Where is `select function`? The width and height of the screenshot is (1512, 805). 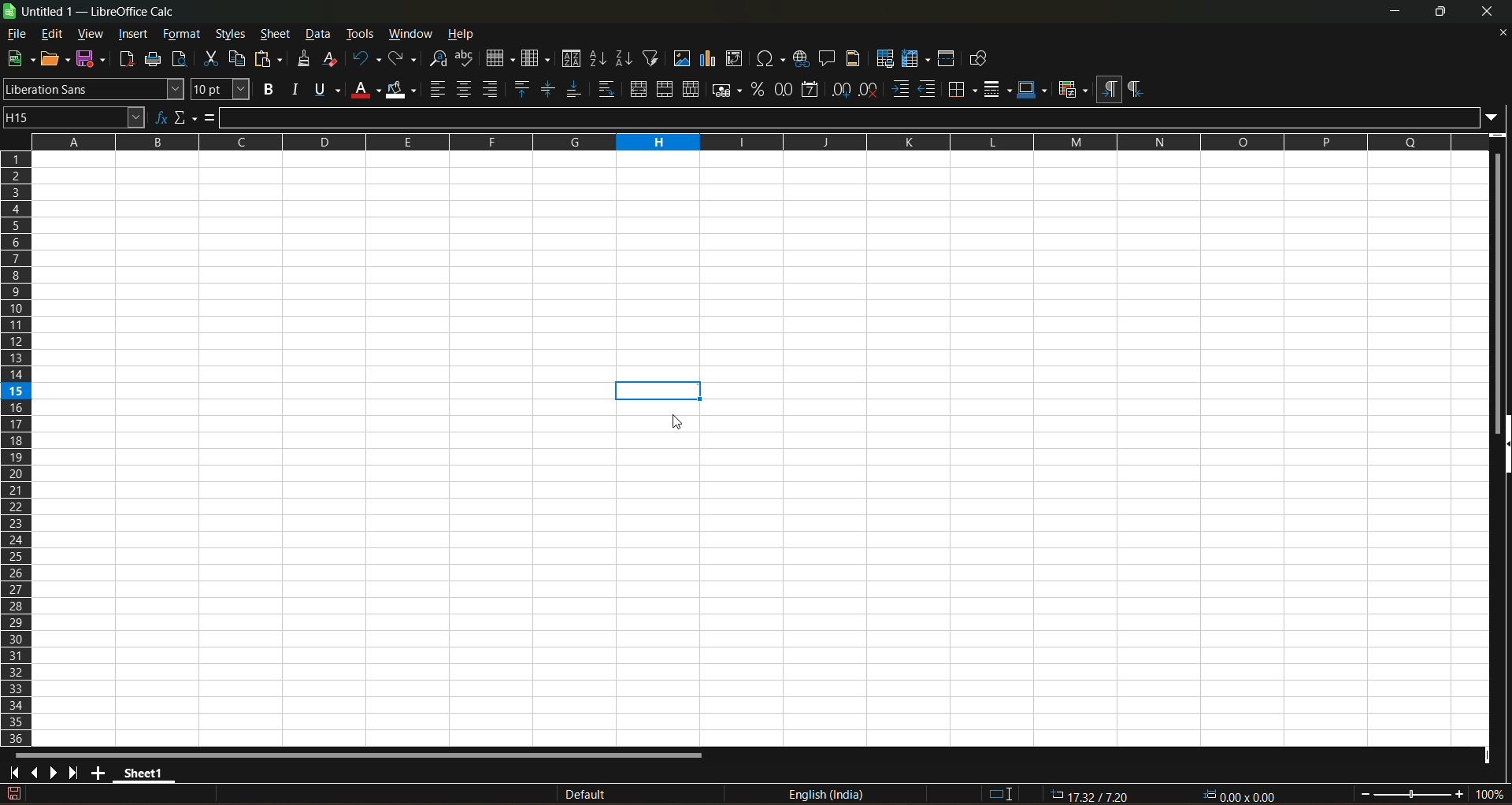
select function is located at coordinates (185, 117).